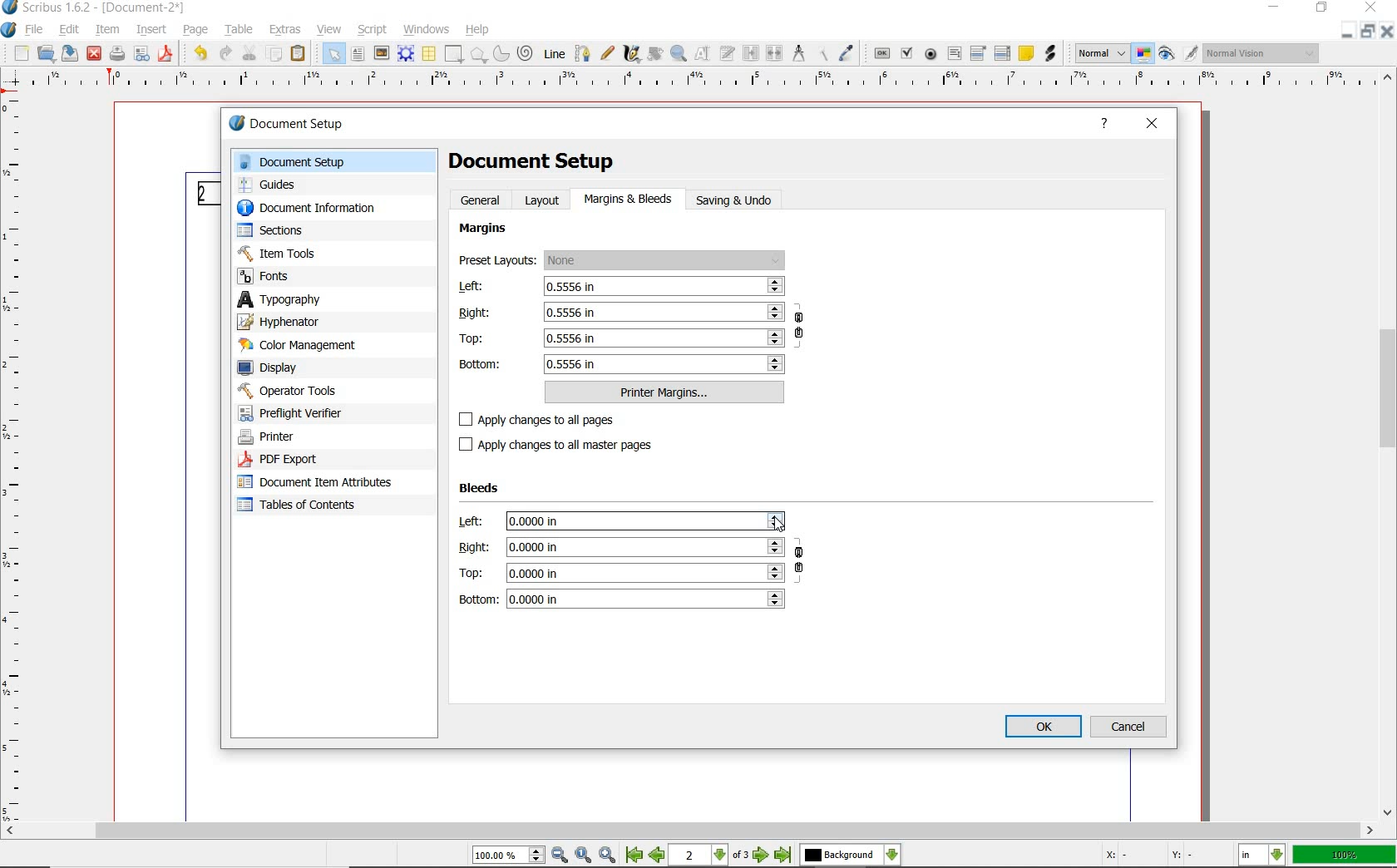  I want to click on ok, so click(1043, 726).